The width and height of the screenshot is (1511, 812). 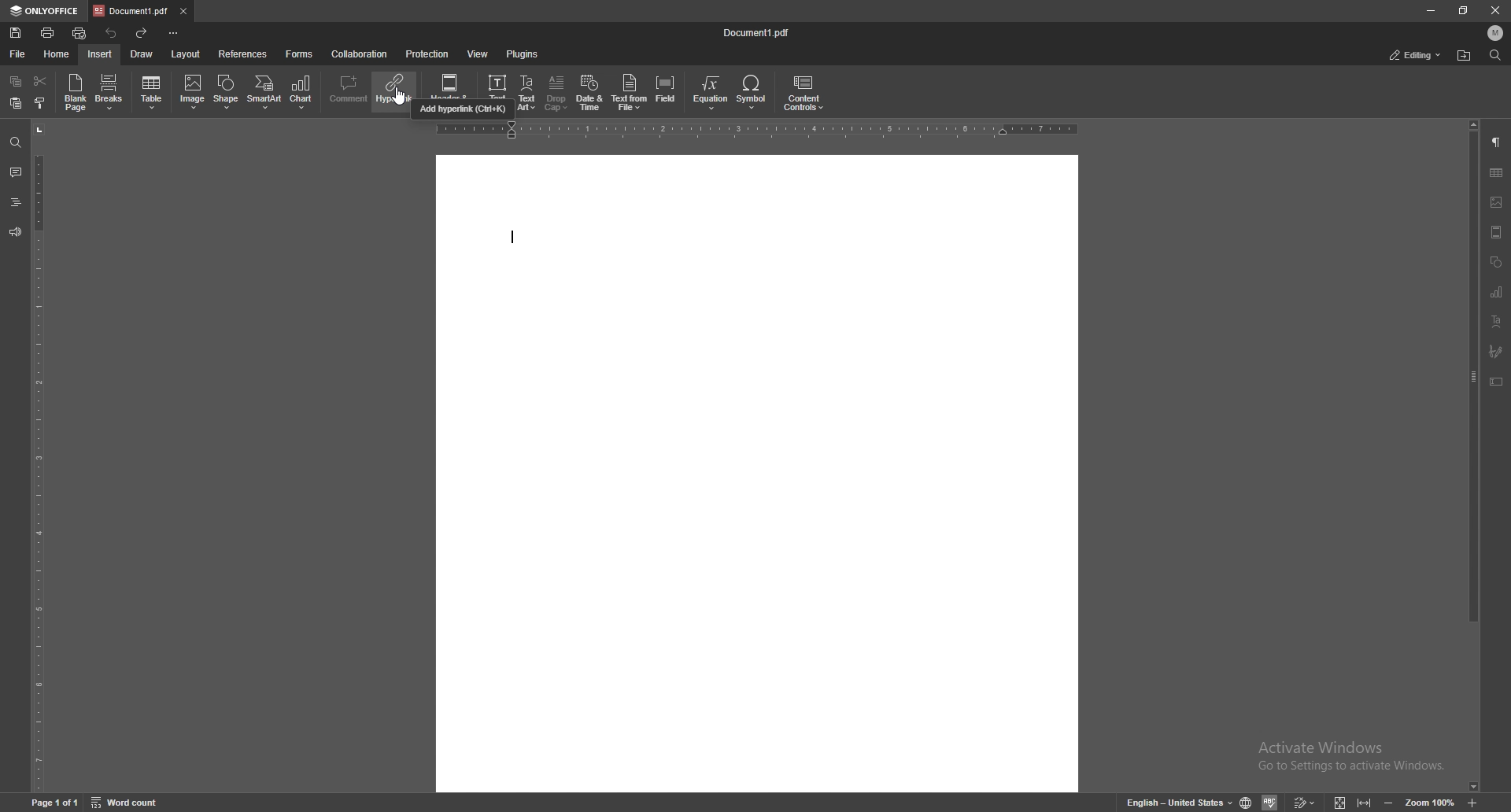 I want to click on header and footer, so click(x=452, y=85).